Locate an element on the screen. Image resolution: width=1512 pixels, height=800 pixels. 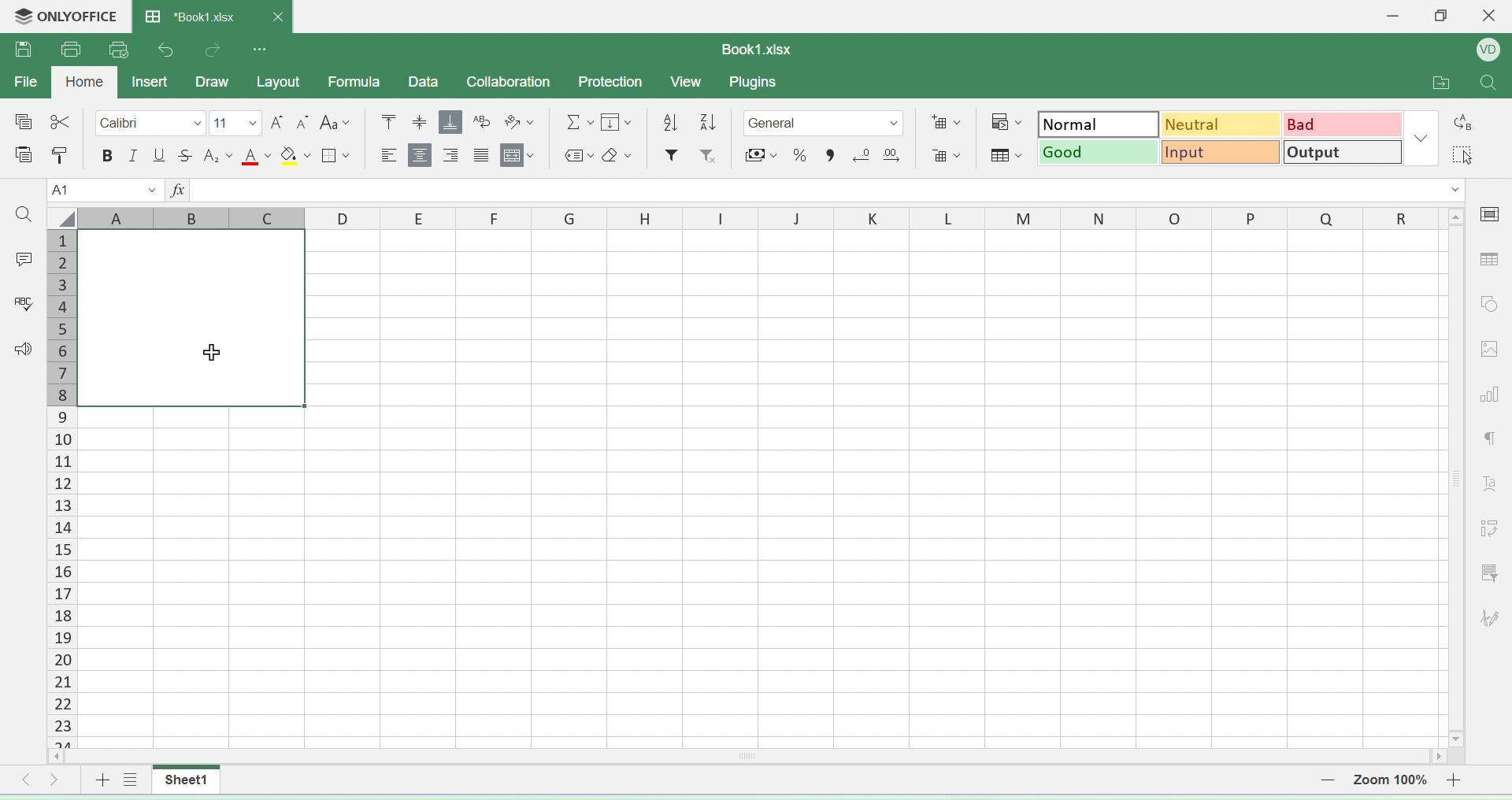
label is located at coordinates (576, 158).